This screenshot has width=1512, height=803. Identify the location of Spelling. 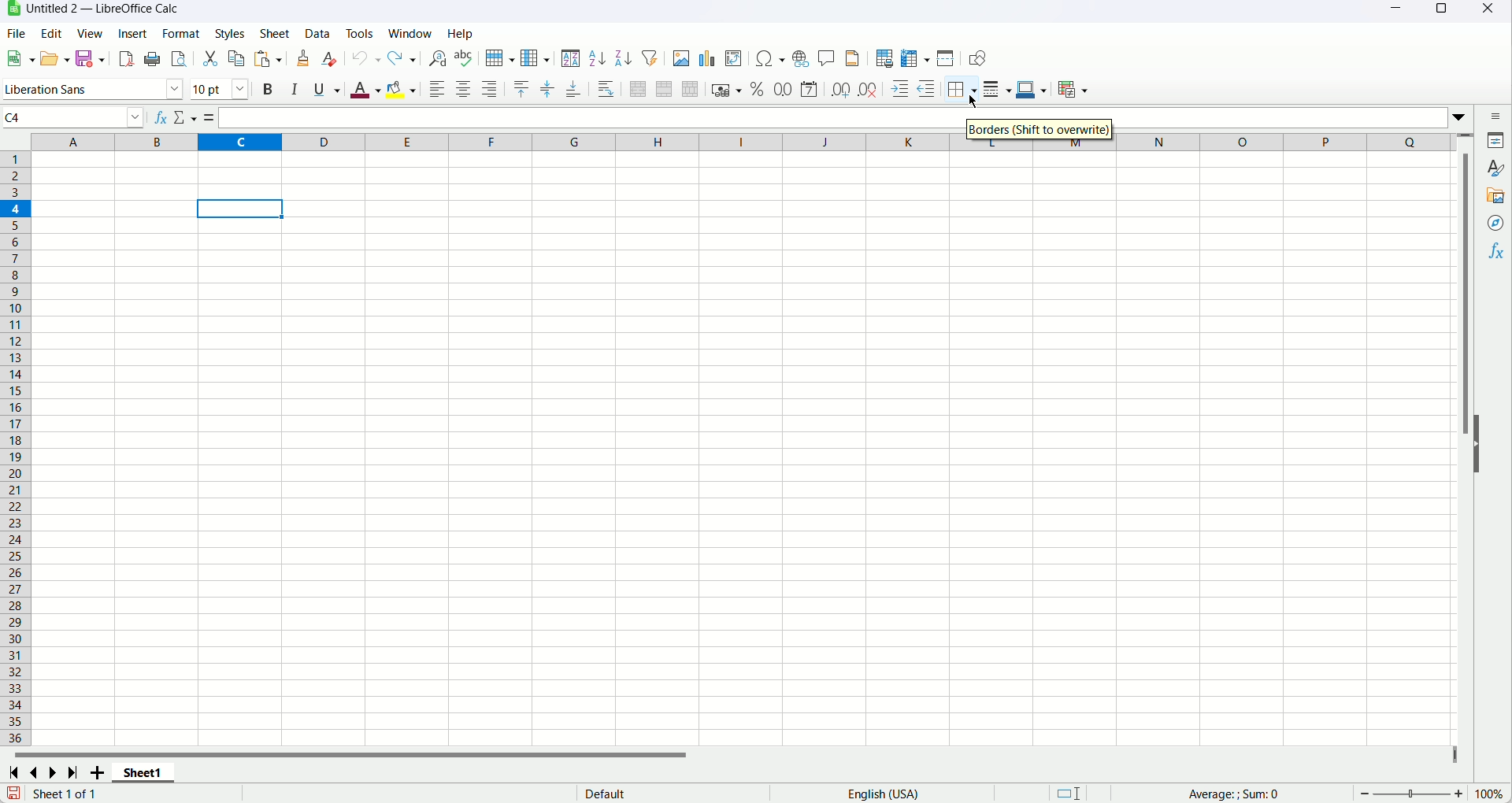
(464, 58).